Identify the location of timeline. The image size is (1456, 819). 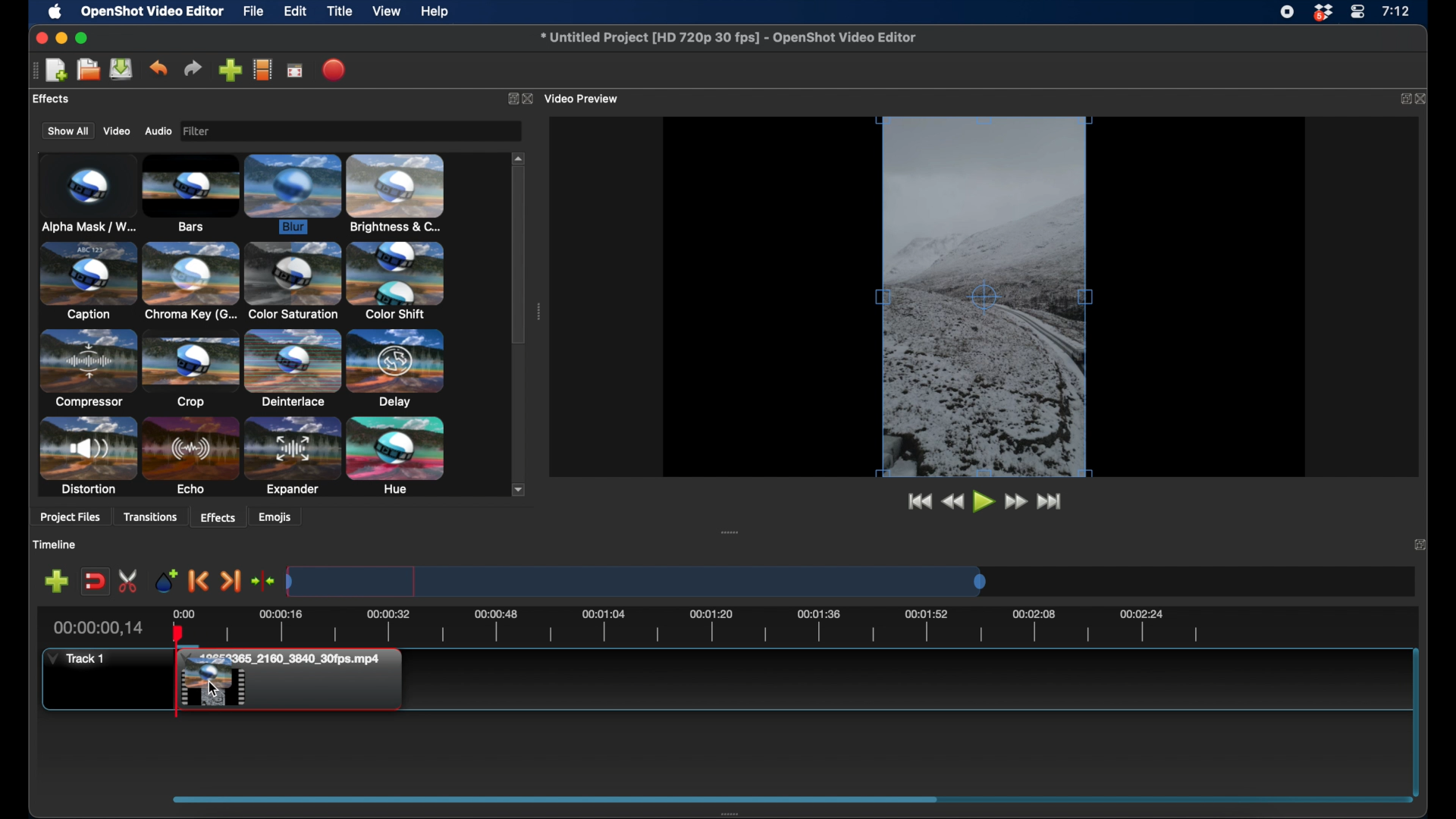
(54, 544).